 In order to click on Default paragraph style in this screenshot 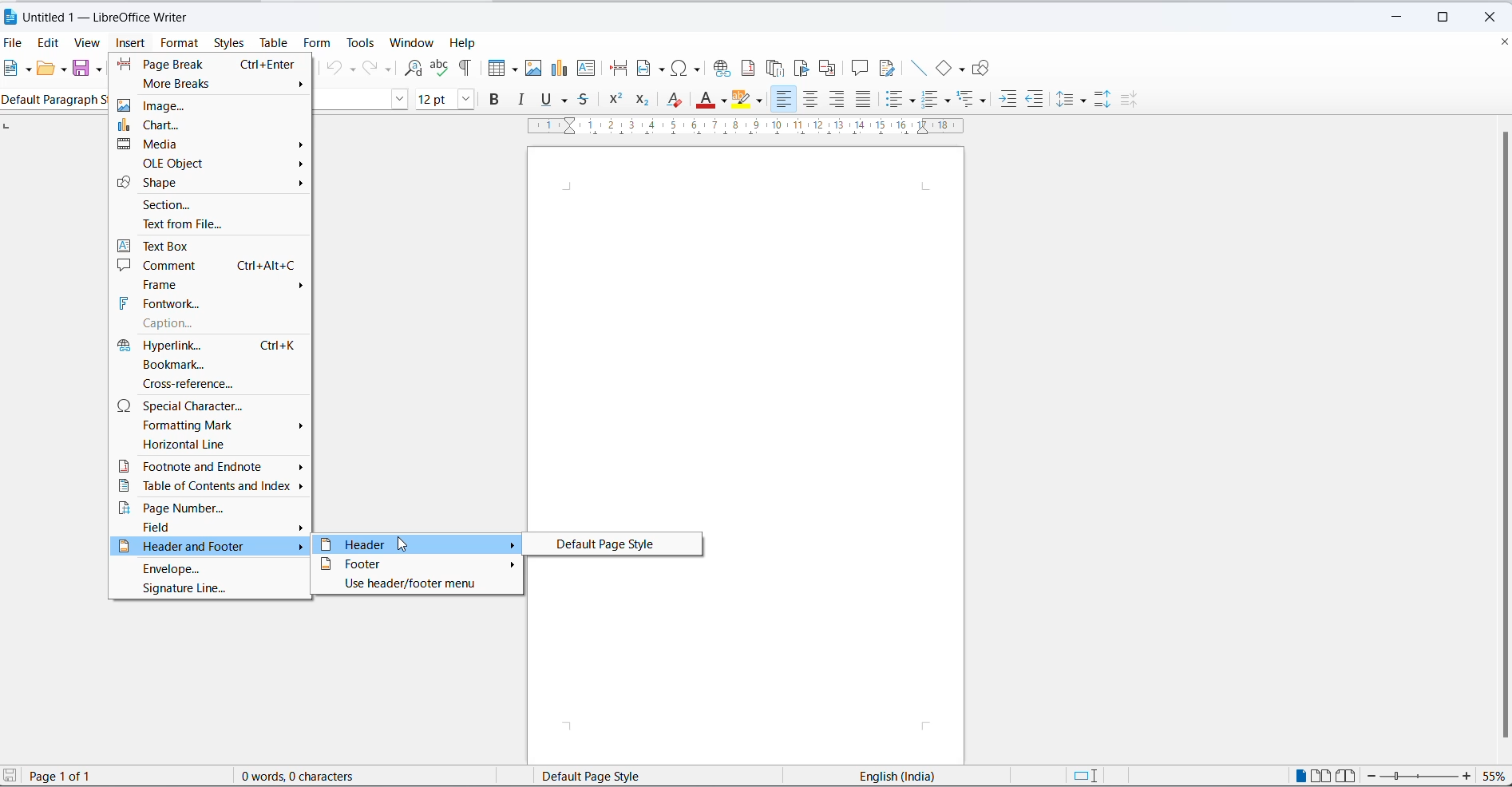, I will do `click(54, 101)`.